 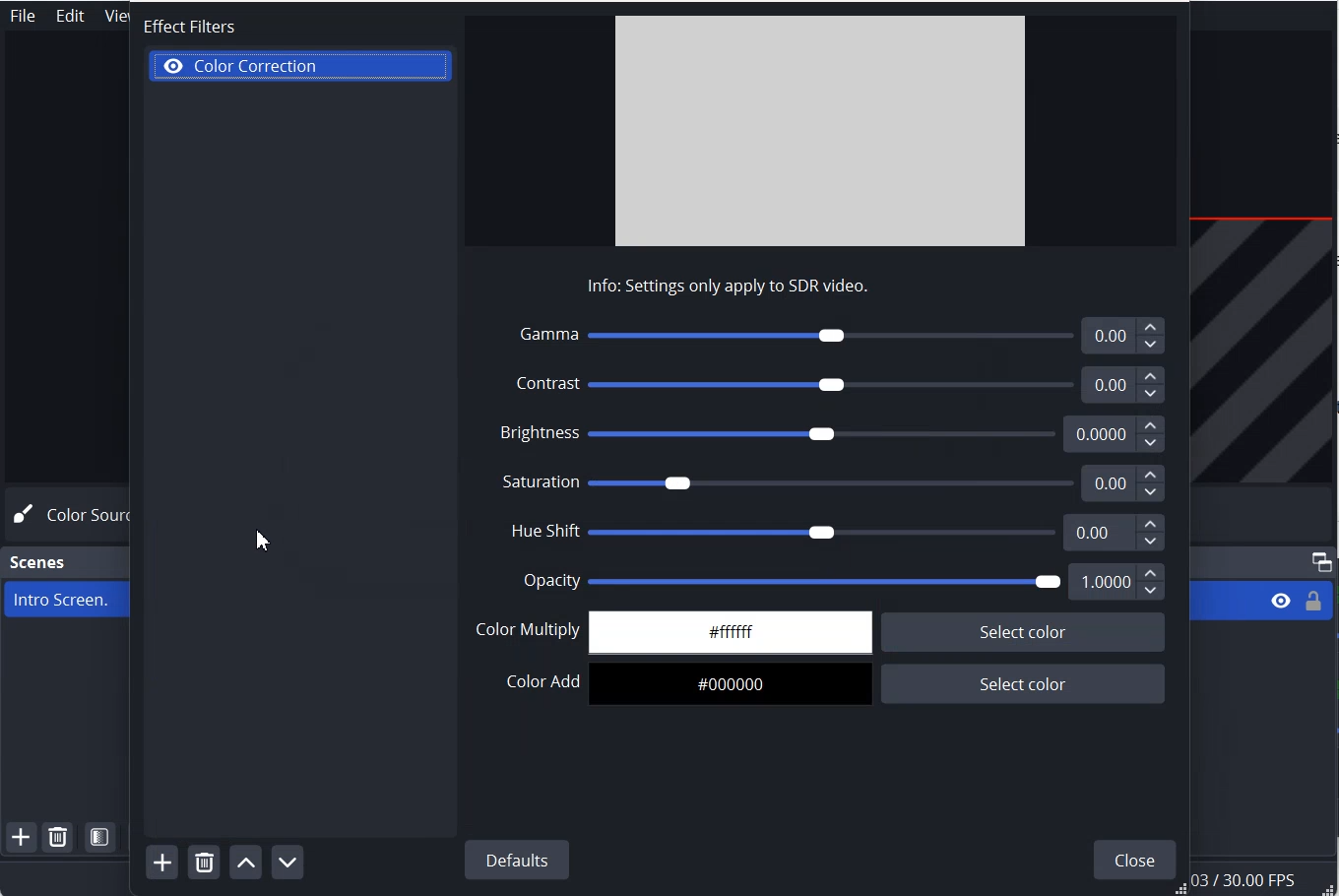 I want to click on Contrast, so click(x=744, y=384).